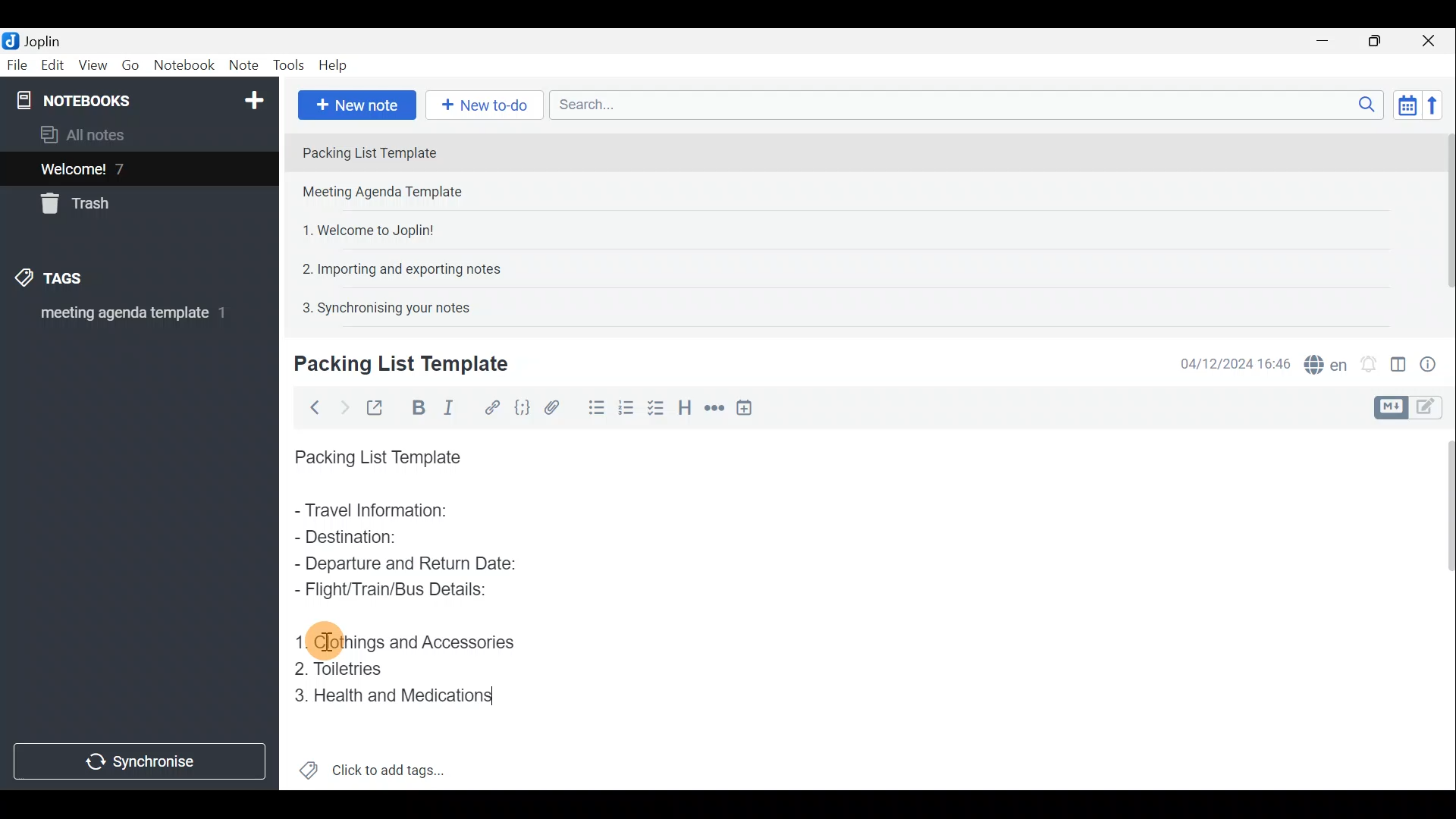  Describe the element at coordinates (1368, 360) in the screenshot. I see `Set alarm` at that location.